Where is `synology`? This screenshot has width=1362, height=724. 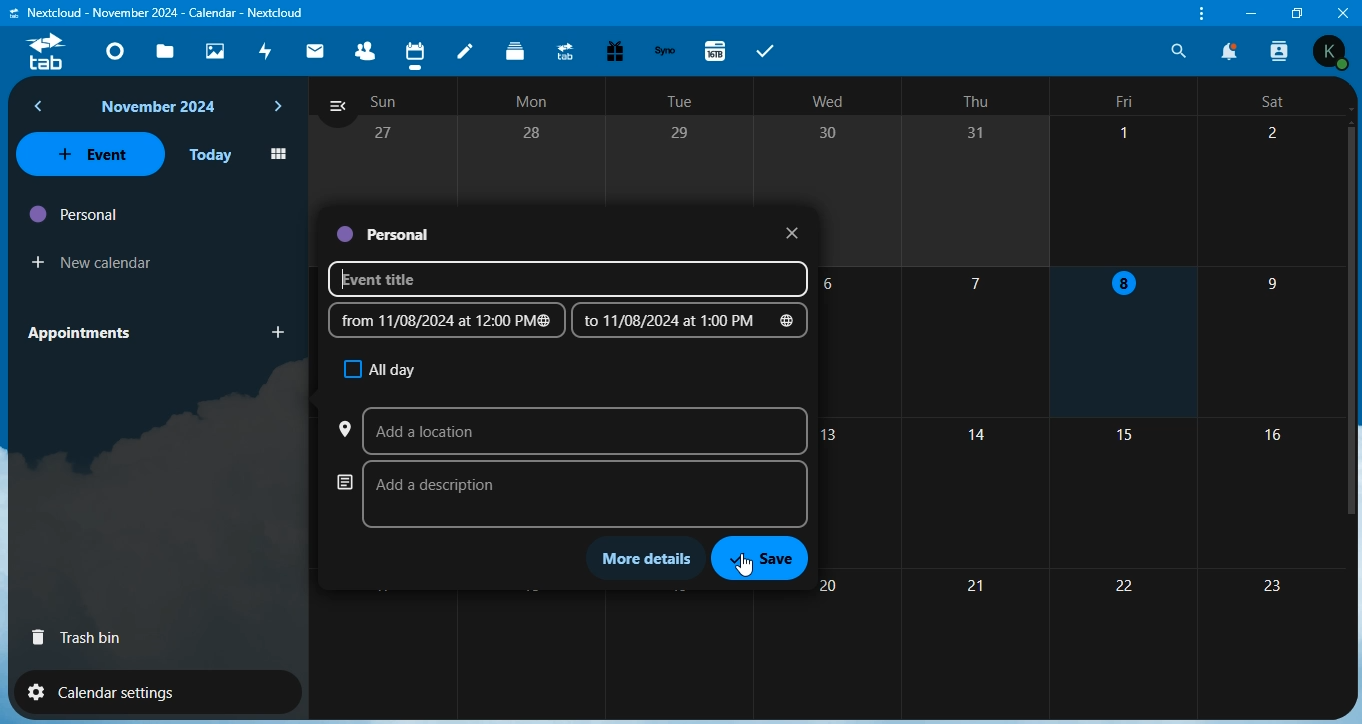
synology is located at coordinates (664, 51).